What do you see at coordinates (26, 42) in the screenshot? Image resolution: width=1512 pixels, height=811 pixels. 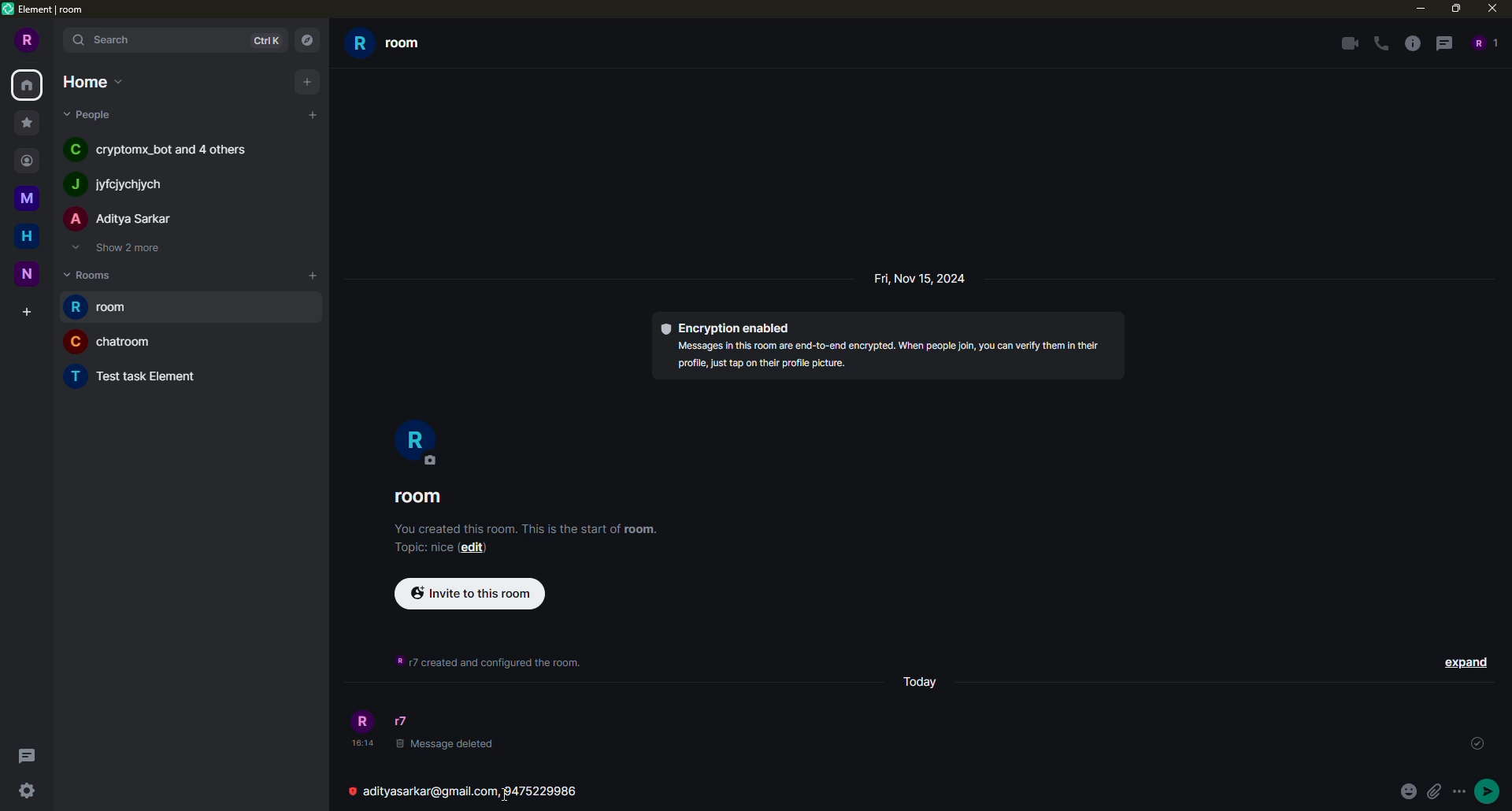 I see `profile` at bounding box center [26, 42].